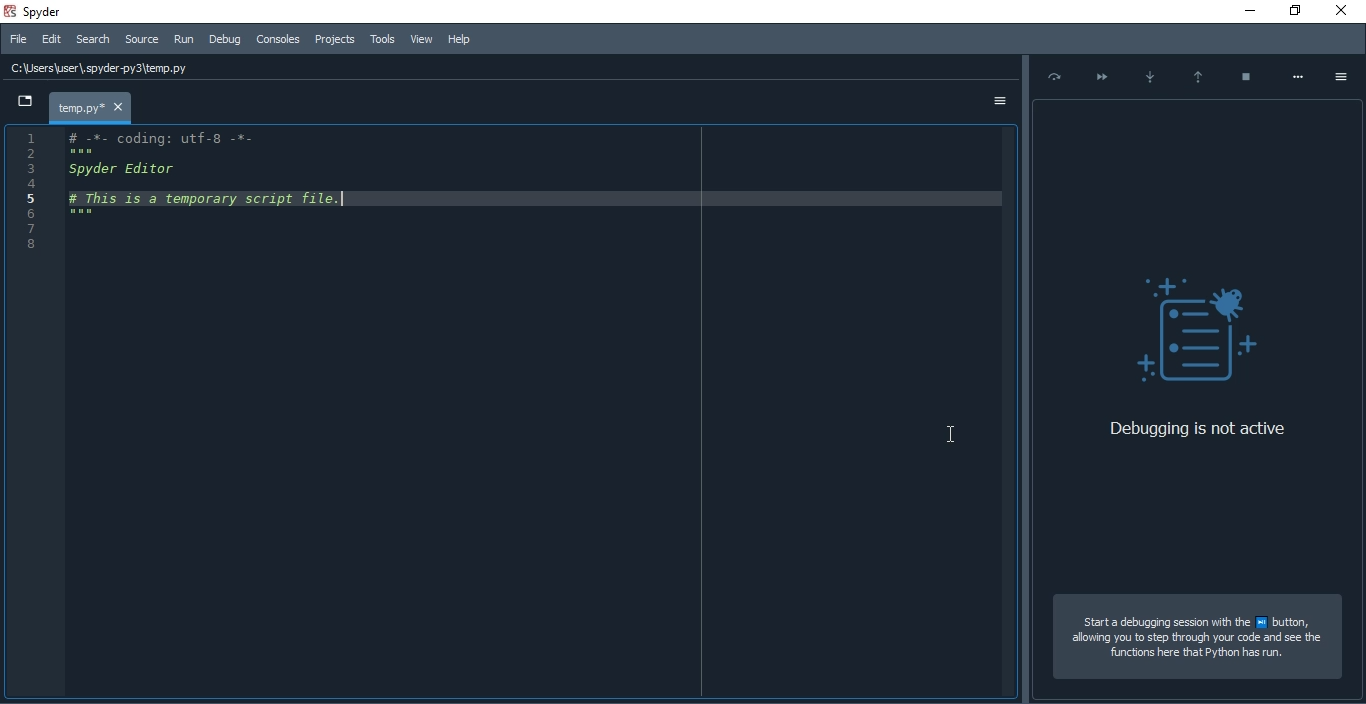  What do you see at coordinates (1051, 77) in the screenshot?
I see `Execute current line` at bounding box center [1051, 77].